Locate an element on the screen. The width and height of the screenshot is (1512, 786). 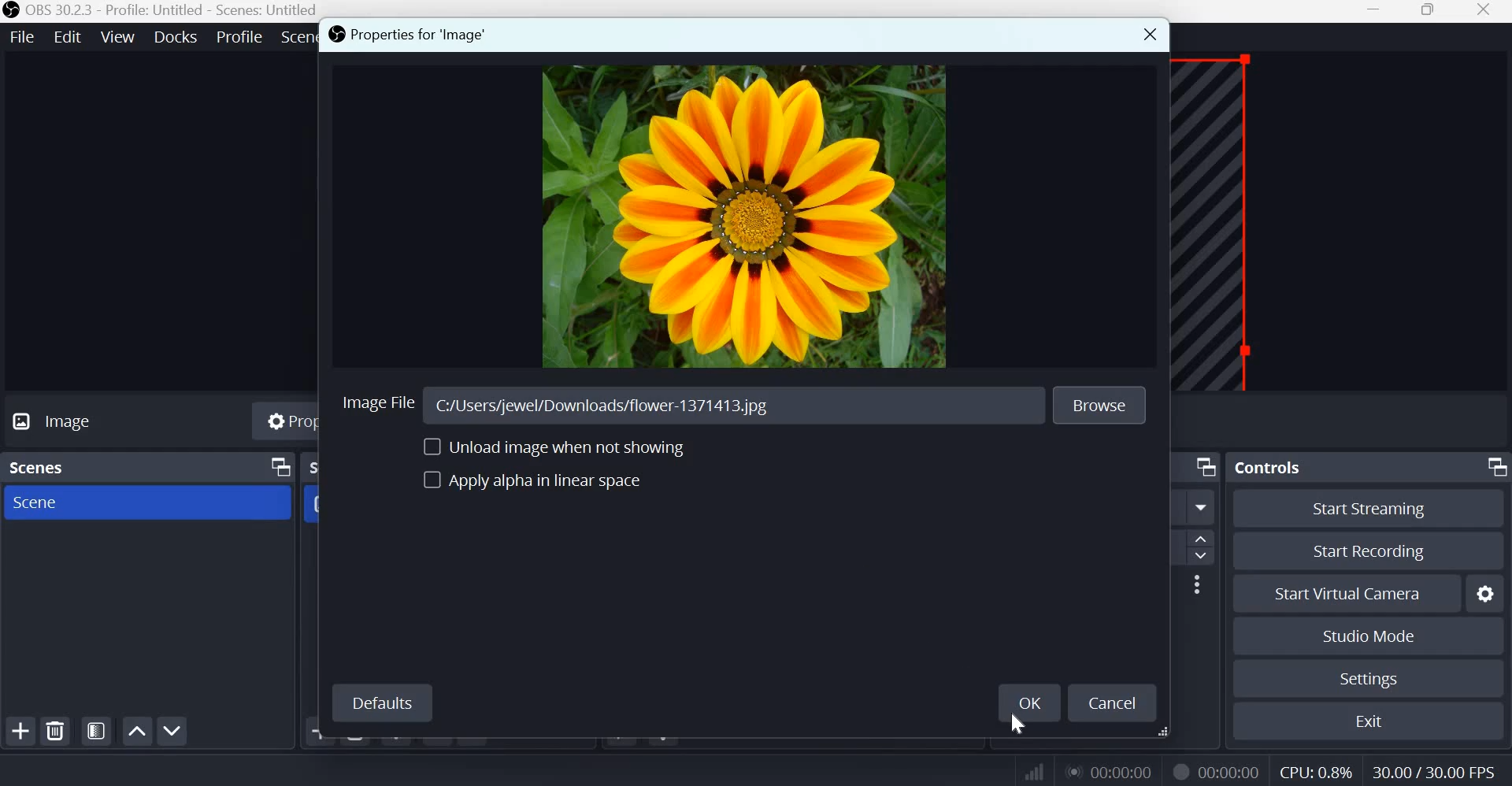
Start recording is located at coordinates (1369, 549).